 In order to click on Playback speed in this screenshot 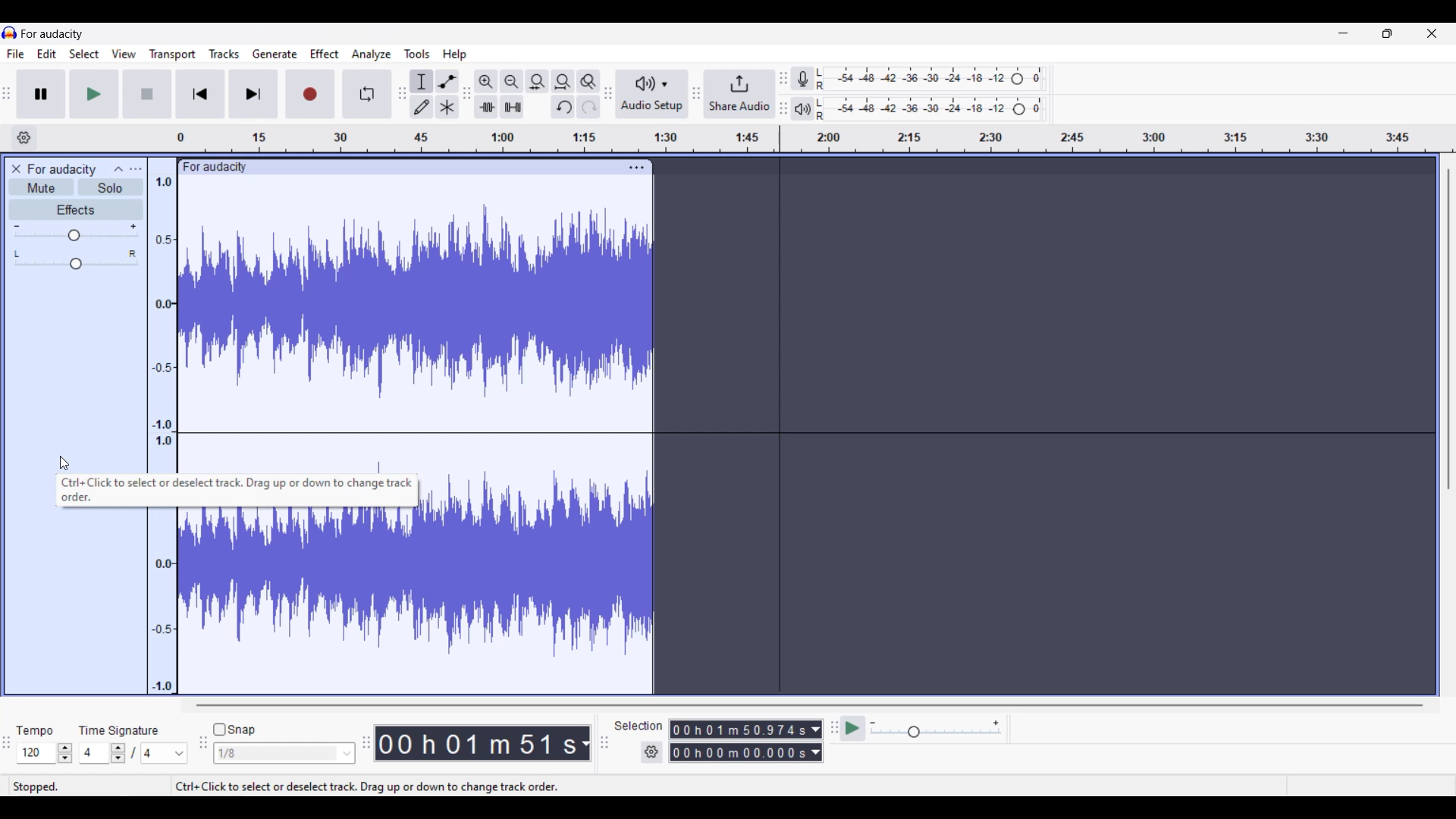, I will do `click(937, 728)`.